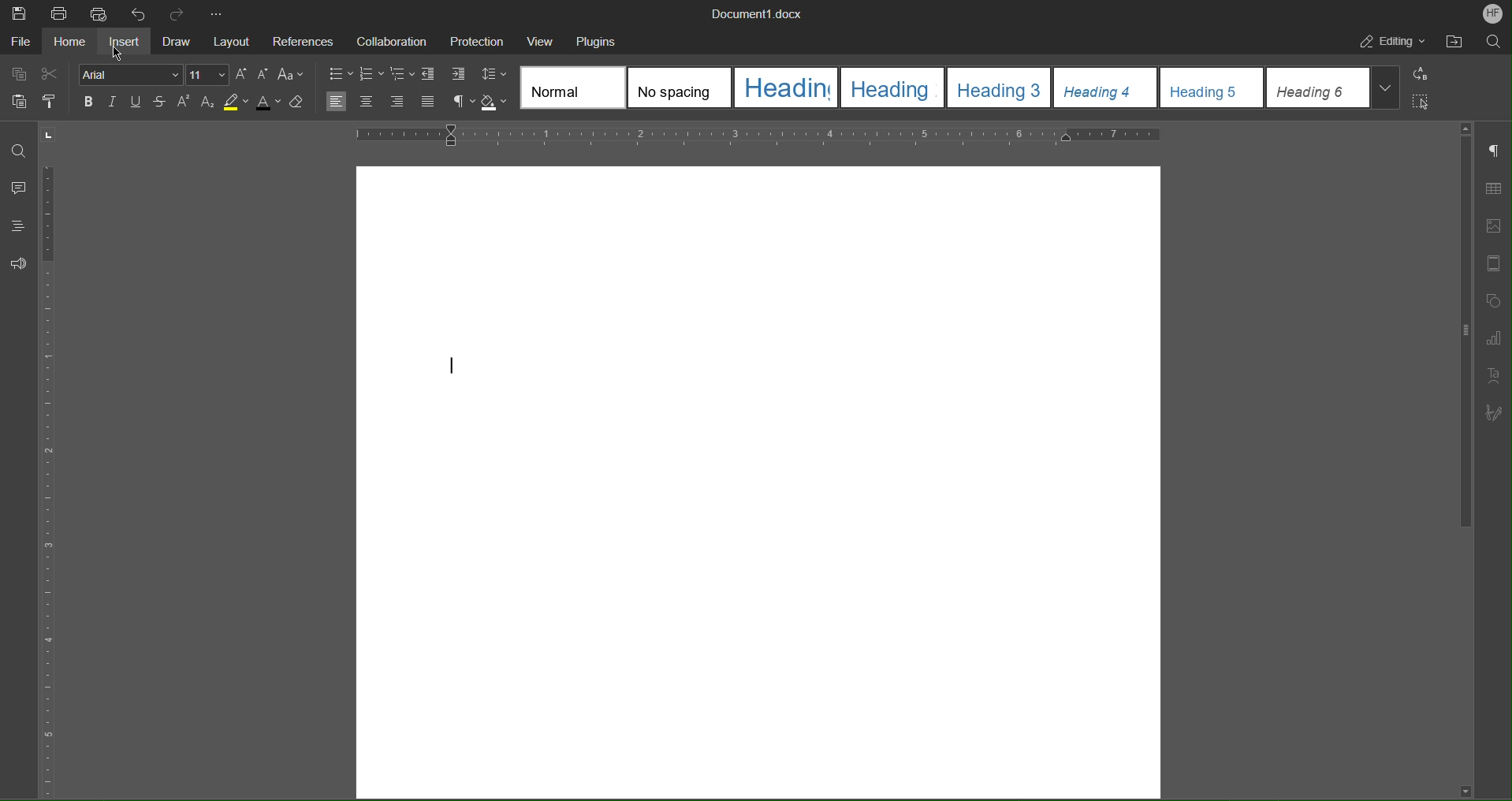 The image size is (1512, 801). Describe the element at coordinates (47, 483) in the screenshot. I see `Vertical Color` at that location.